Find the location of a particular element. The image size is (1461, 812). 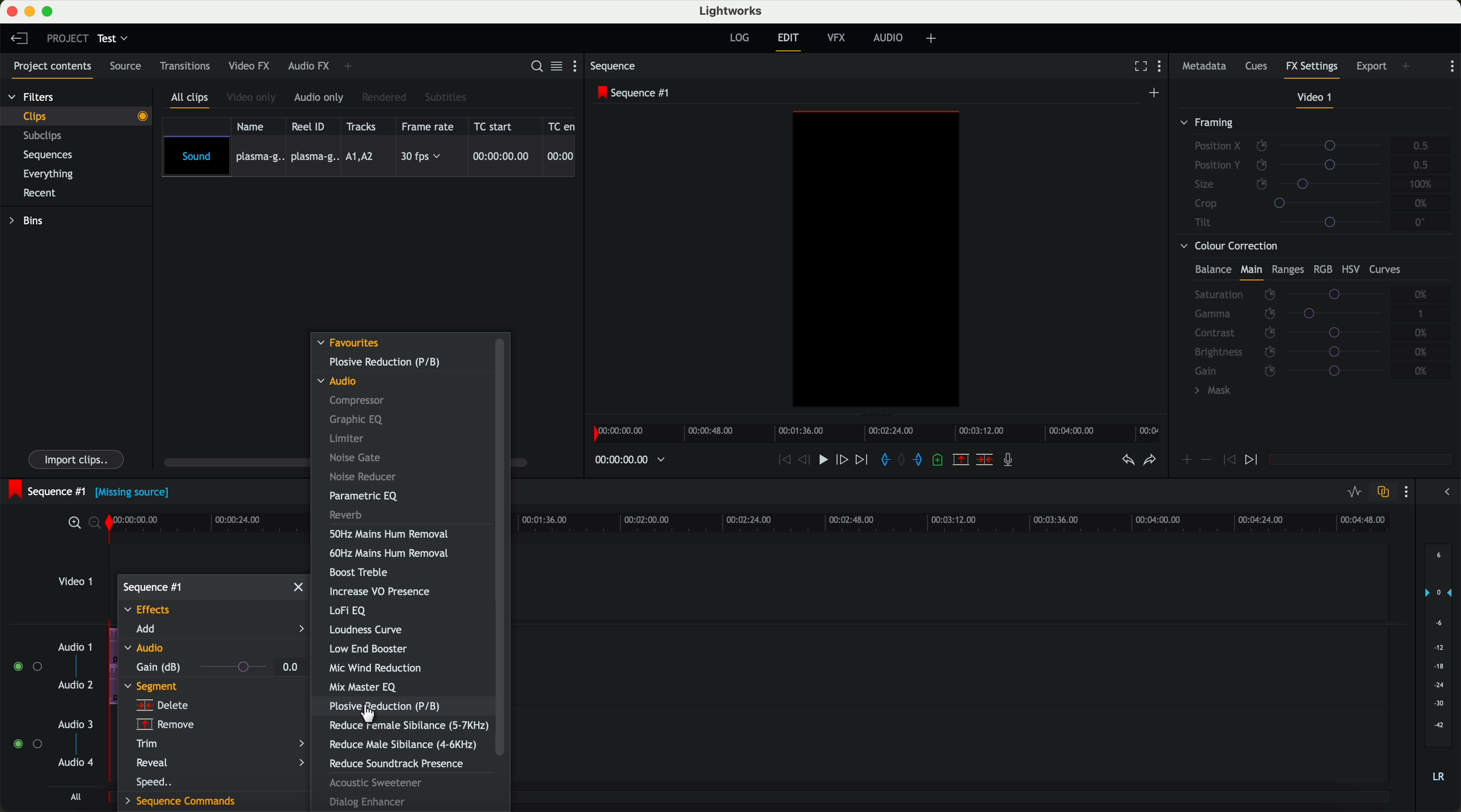

tracks is located at coordinates (364, 126).